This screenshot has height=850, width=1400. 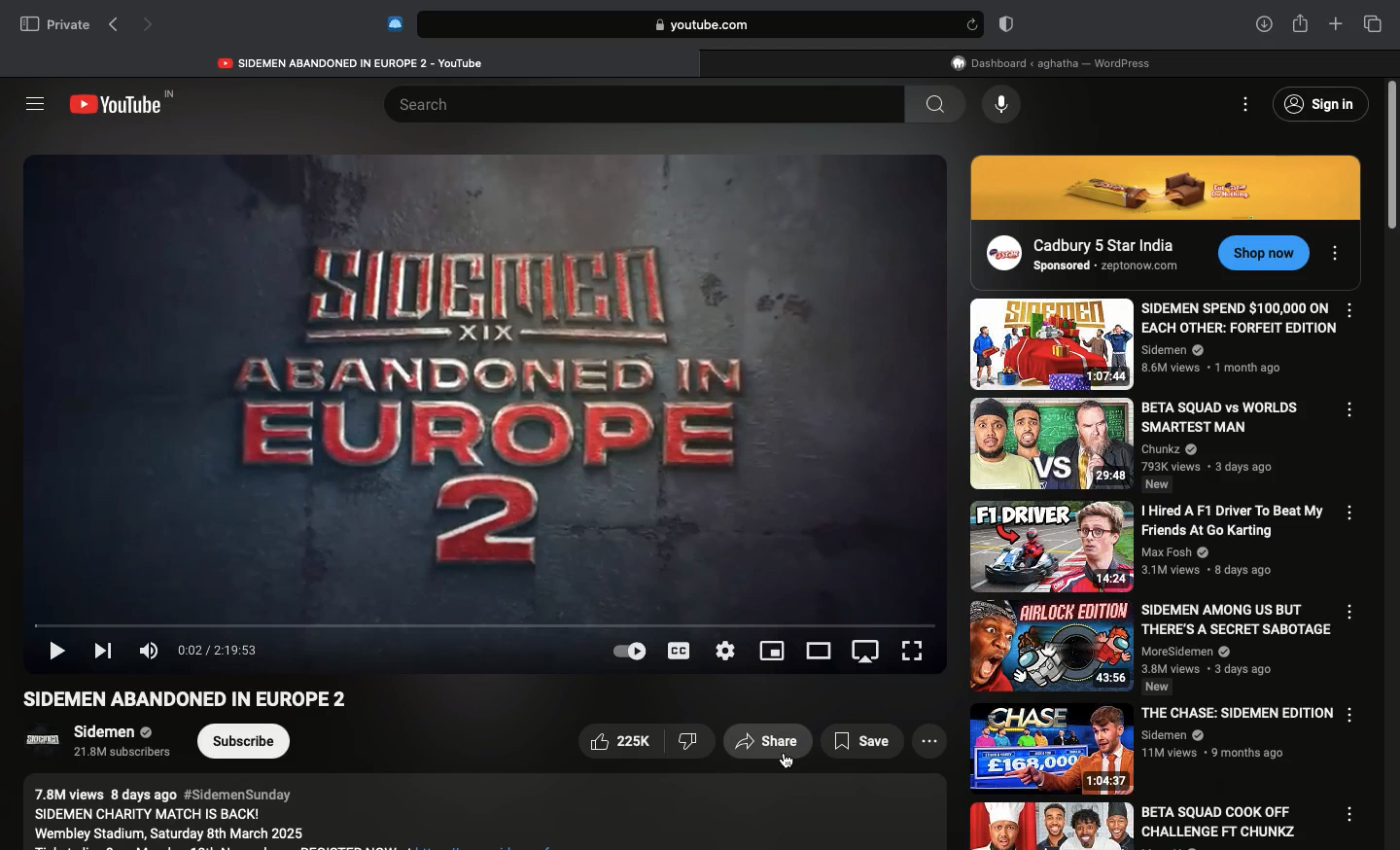 What do you see at coordinates (1391, 464) in the screenshot?
I see `Scroll` at bounding box center [1391, 464].